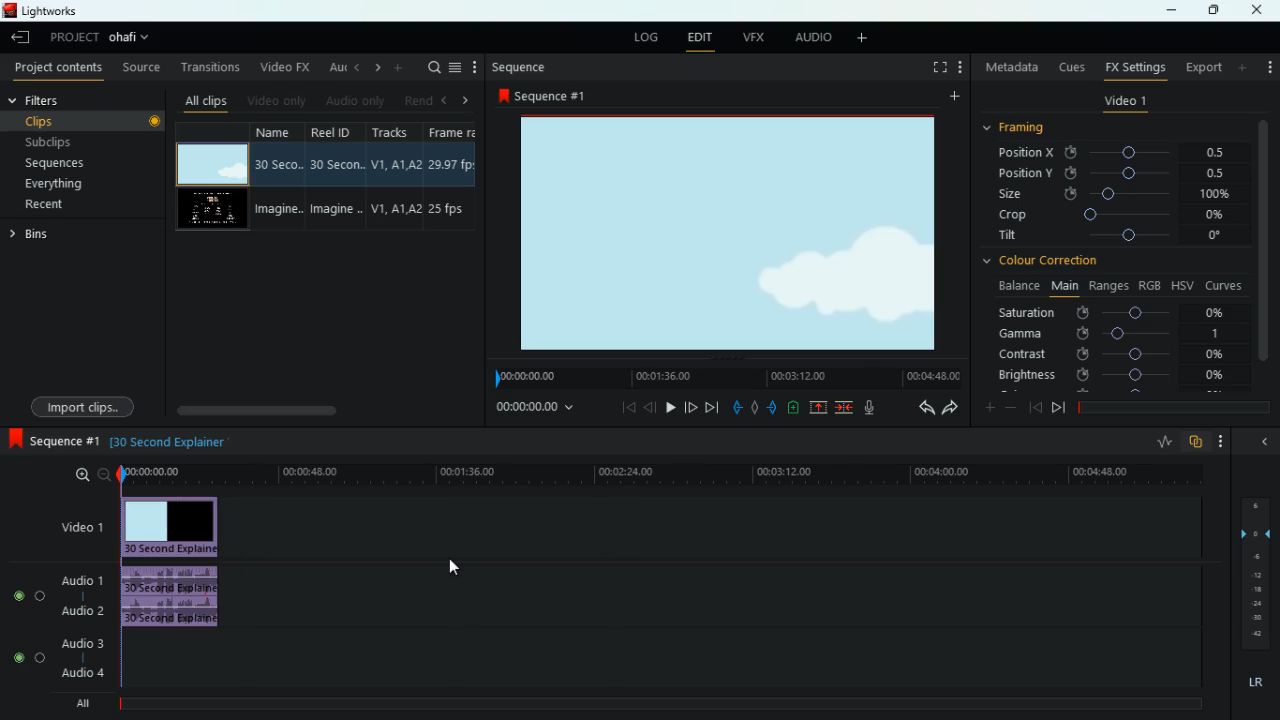 This screenshot has height=720, width=1280. I want to click on front, so click(692, 407).